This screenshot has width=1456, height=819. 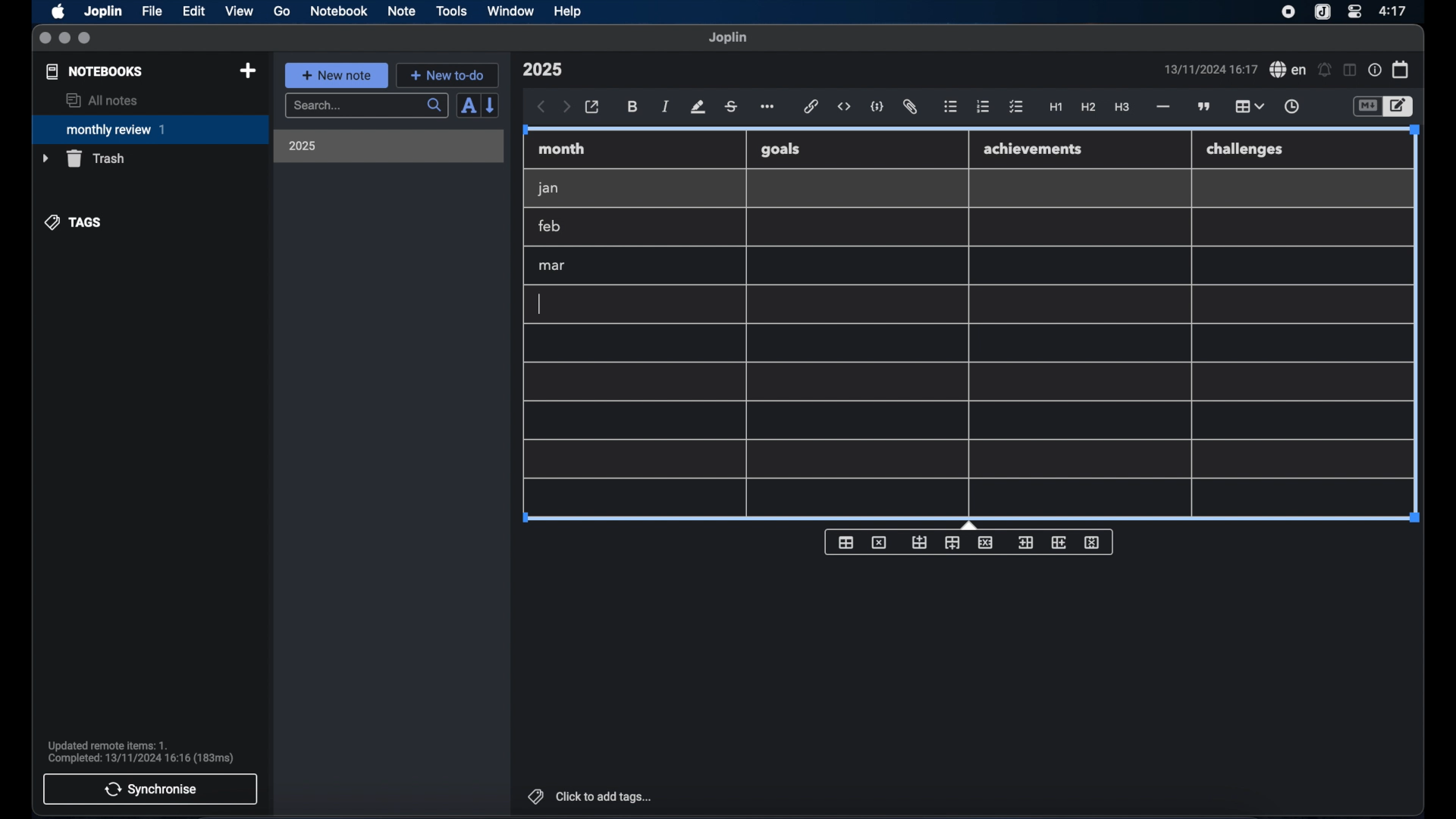 What do you see at coordinates (879, 543) in the screenshot?
I see `delete table` at bounding box center [879, 543].